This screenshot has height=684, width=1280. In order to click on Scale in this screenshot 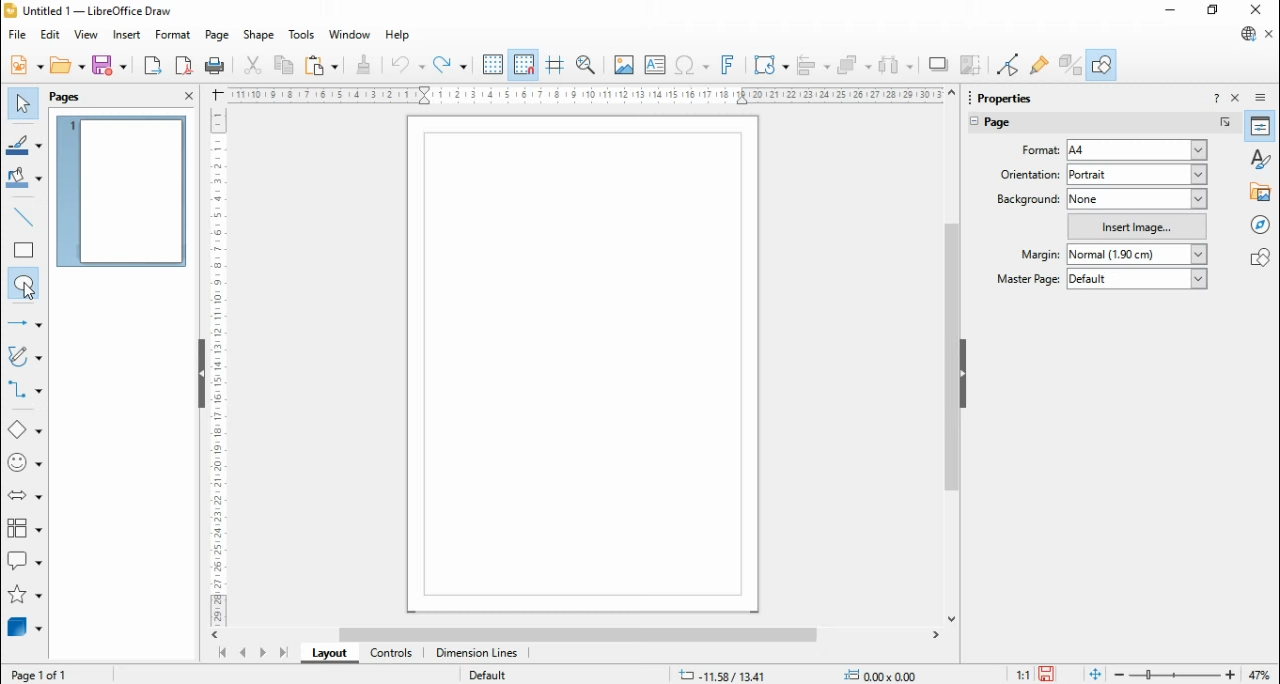, I will do `click(217, 363)`.